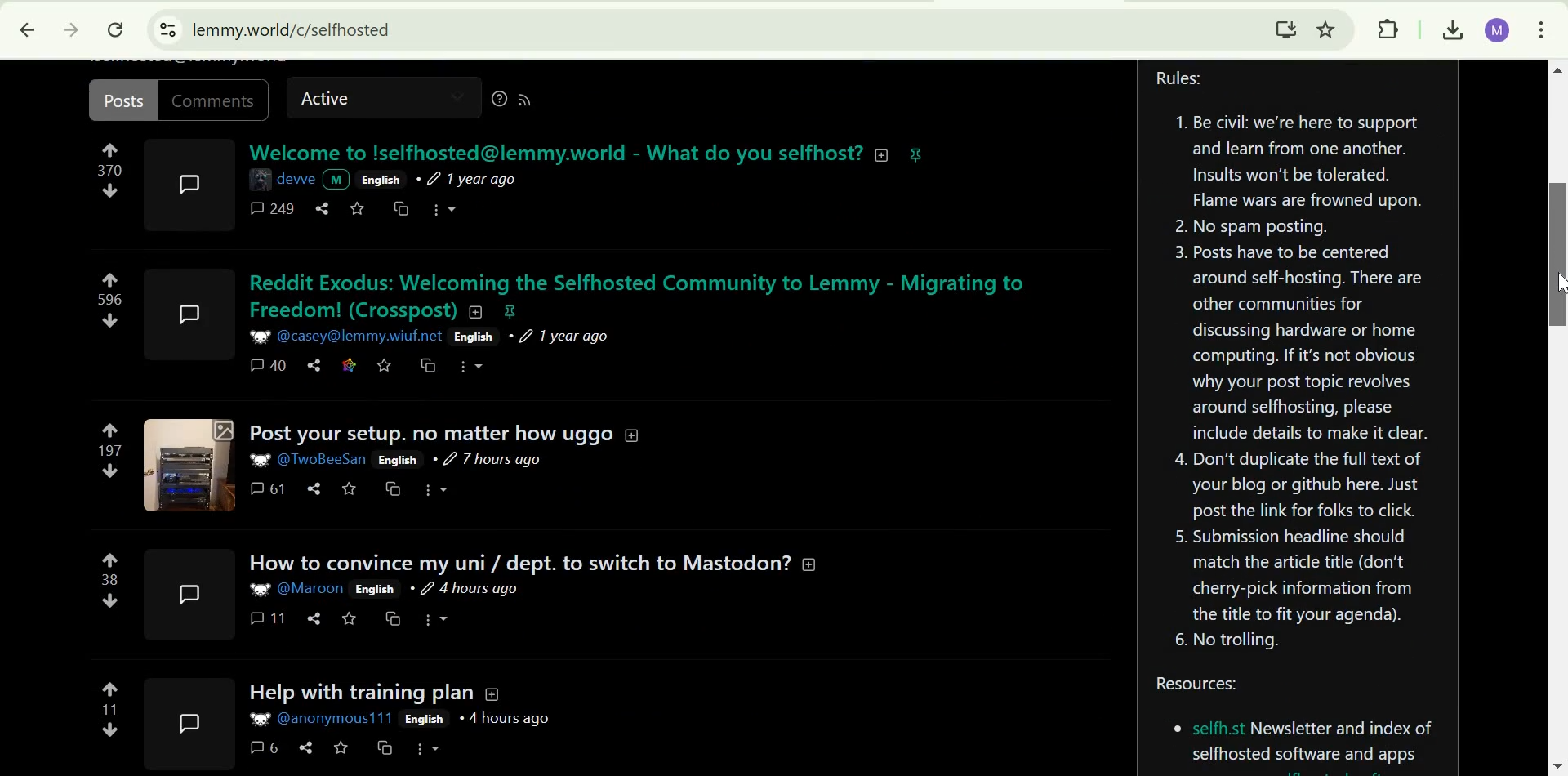  What do you see at coordinates (168, 30) in the screenshot?
I see `View site information` at bounding box center [168, 30].